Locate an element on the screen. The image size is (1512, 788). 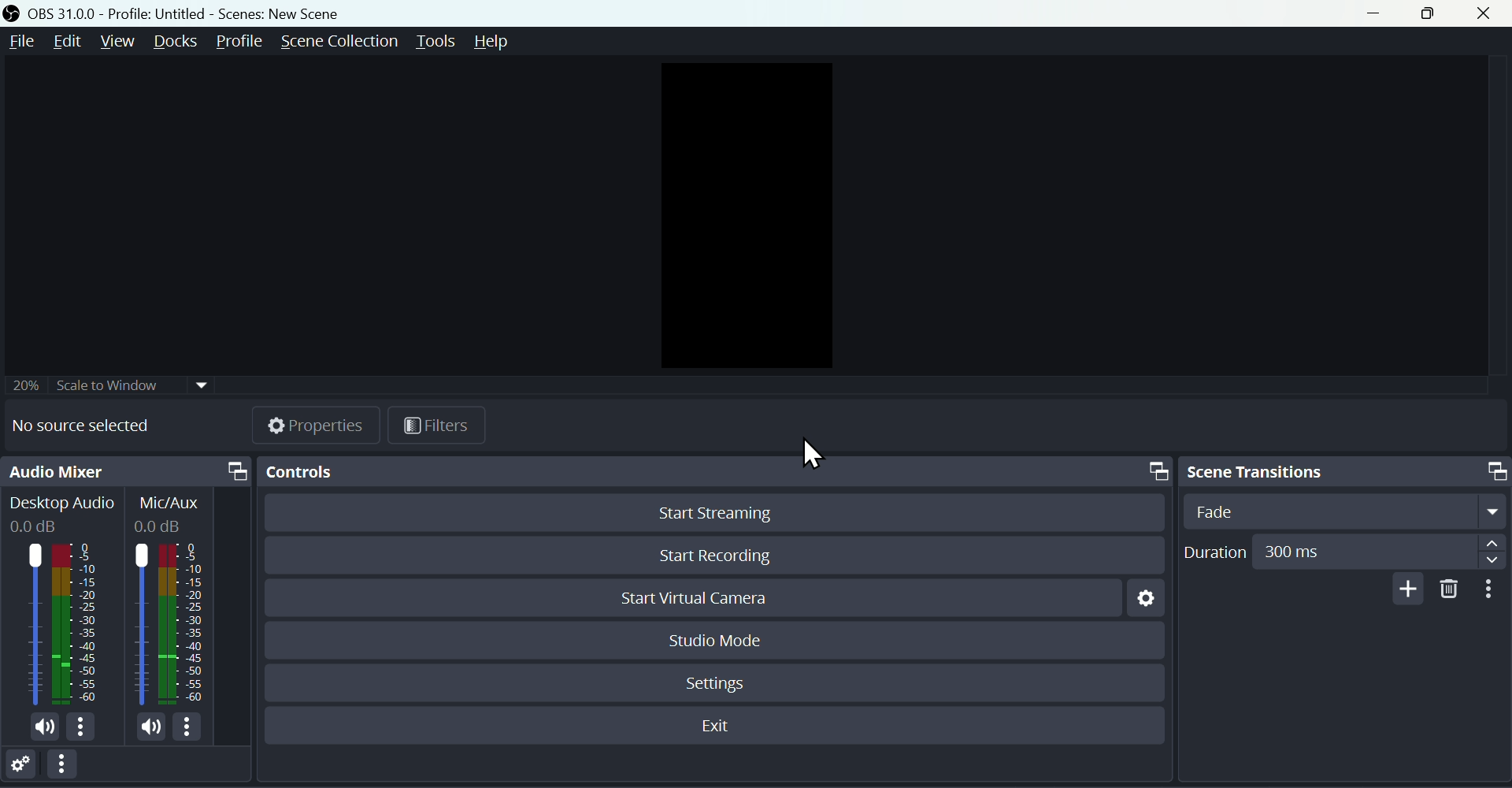
Docks is located at coordinates (178, 43).